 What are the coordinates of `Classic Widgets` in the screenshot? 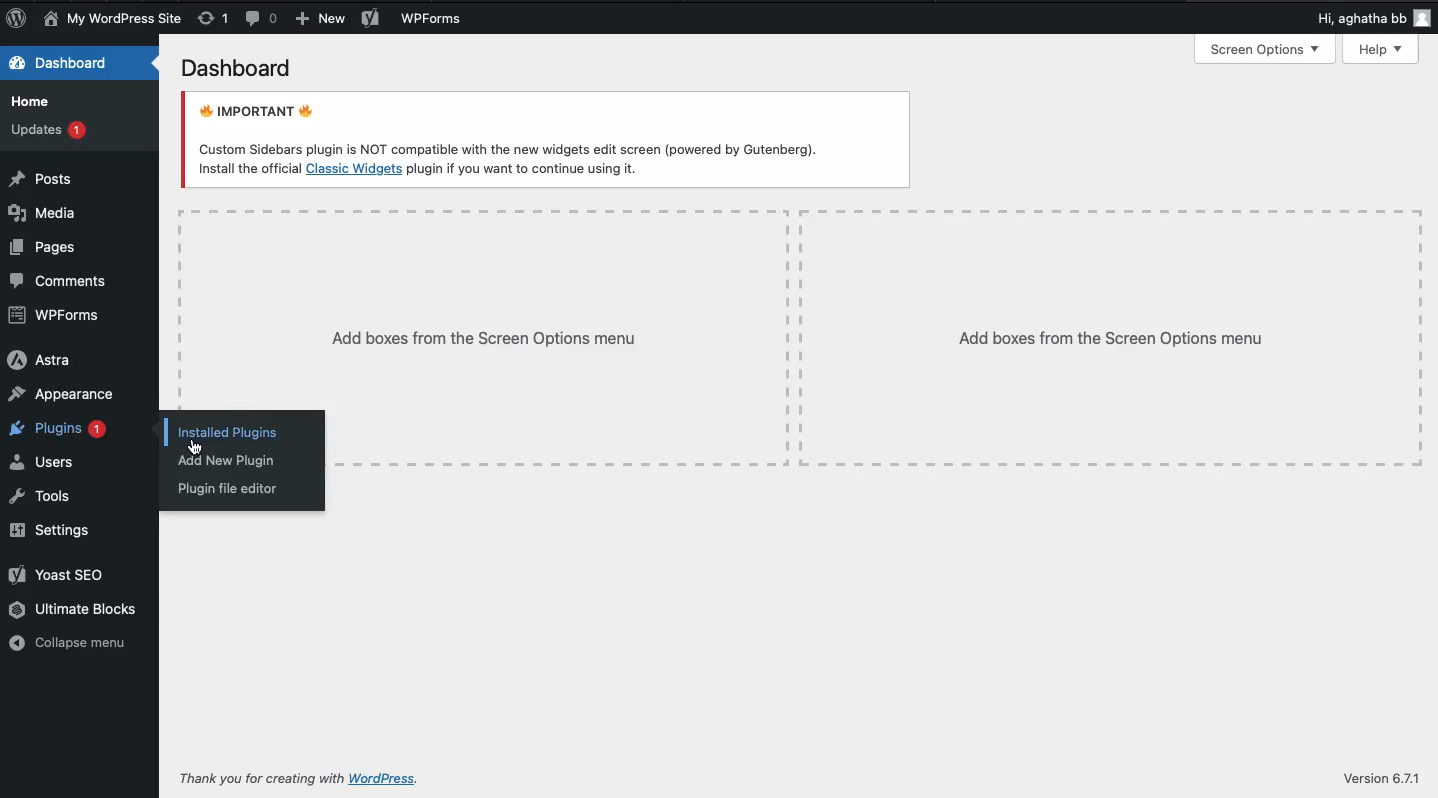 It's located at (354, 169).